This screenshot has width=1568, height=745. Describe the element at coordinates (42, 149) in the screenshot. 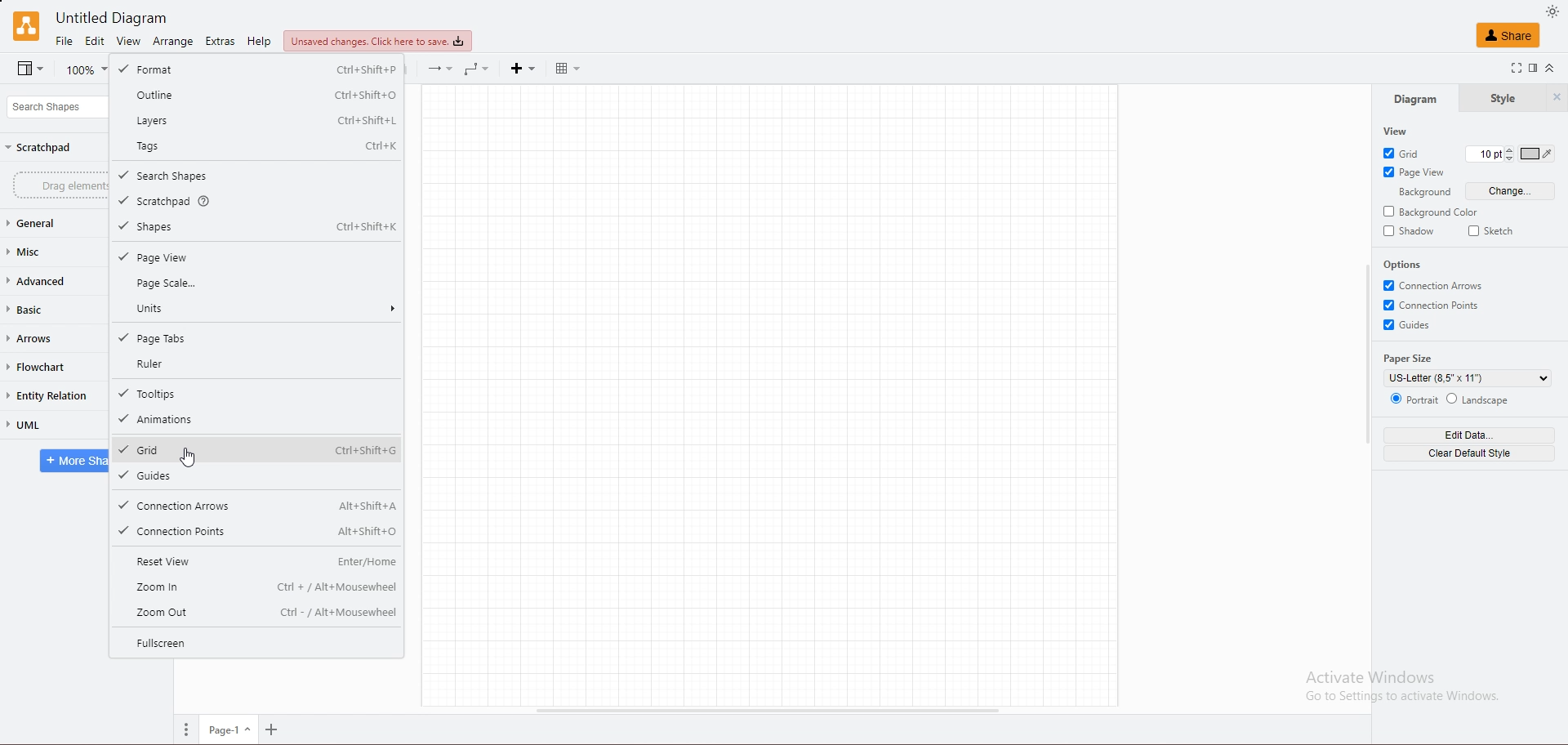

I see `scratchpad` at that location.